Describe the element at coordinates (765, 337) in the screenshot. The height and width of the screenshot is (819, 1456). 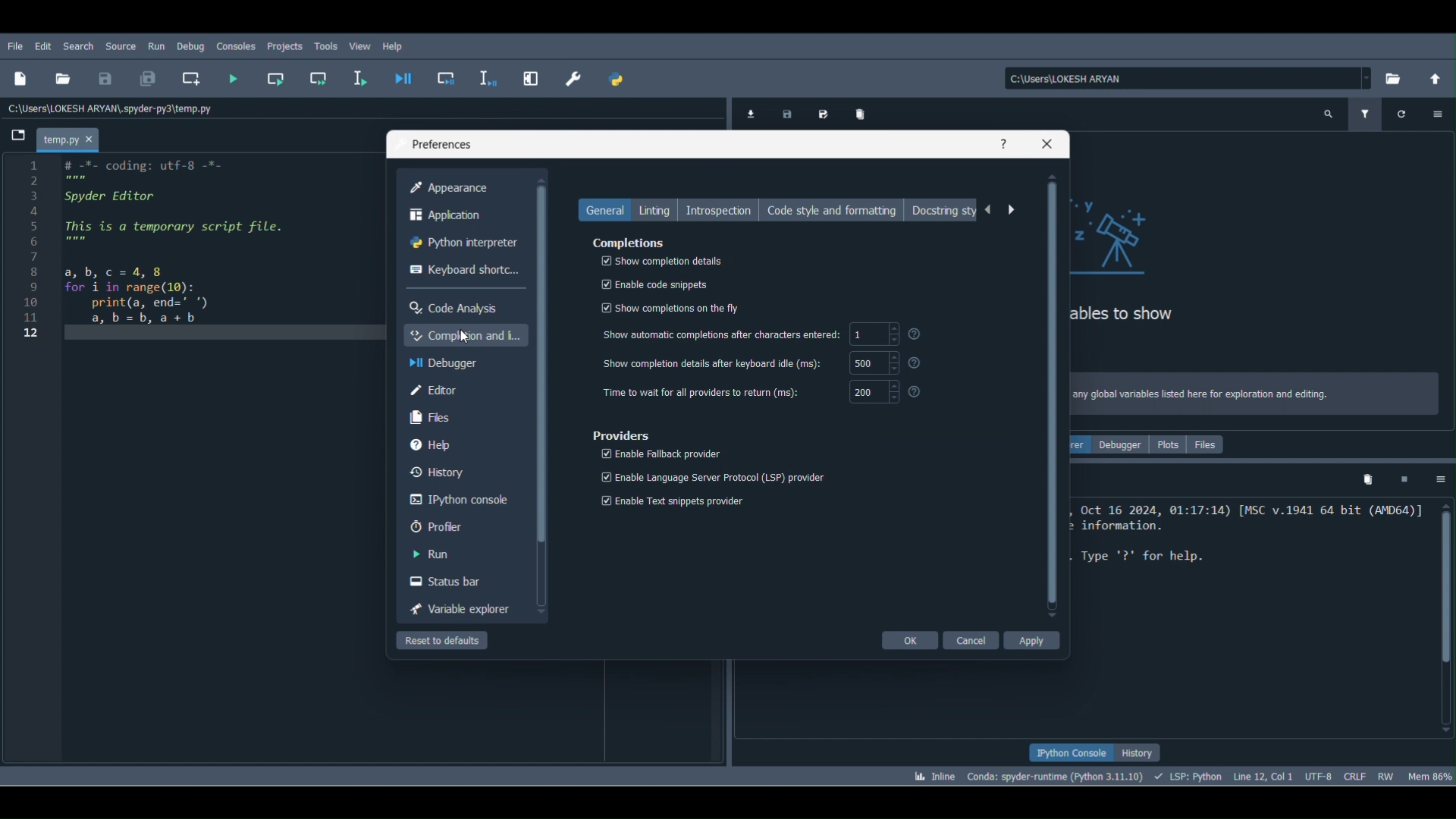
I see `` at that location.